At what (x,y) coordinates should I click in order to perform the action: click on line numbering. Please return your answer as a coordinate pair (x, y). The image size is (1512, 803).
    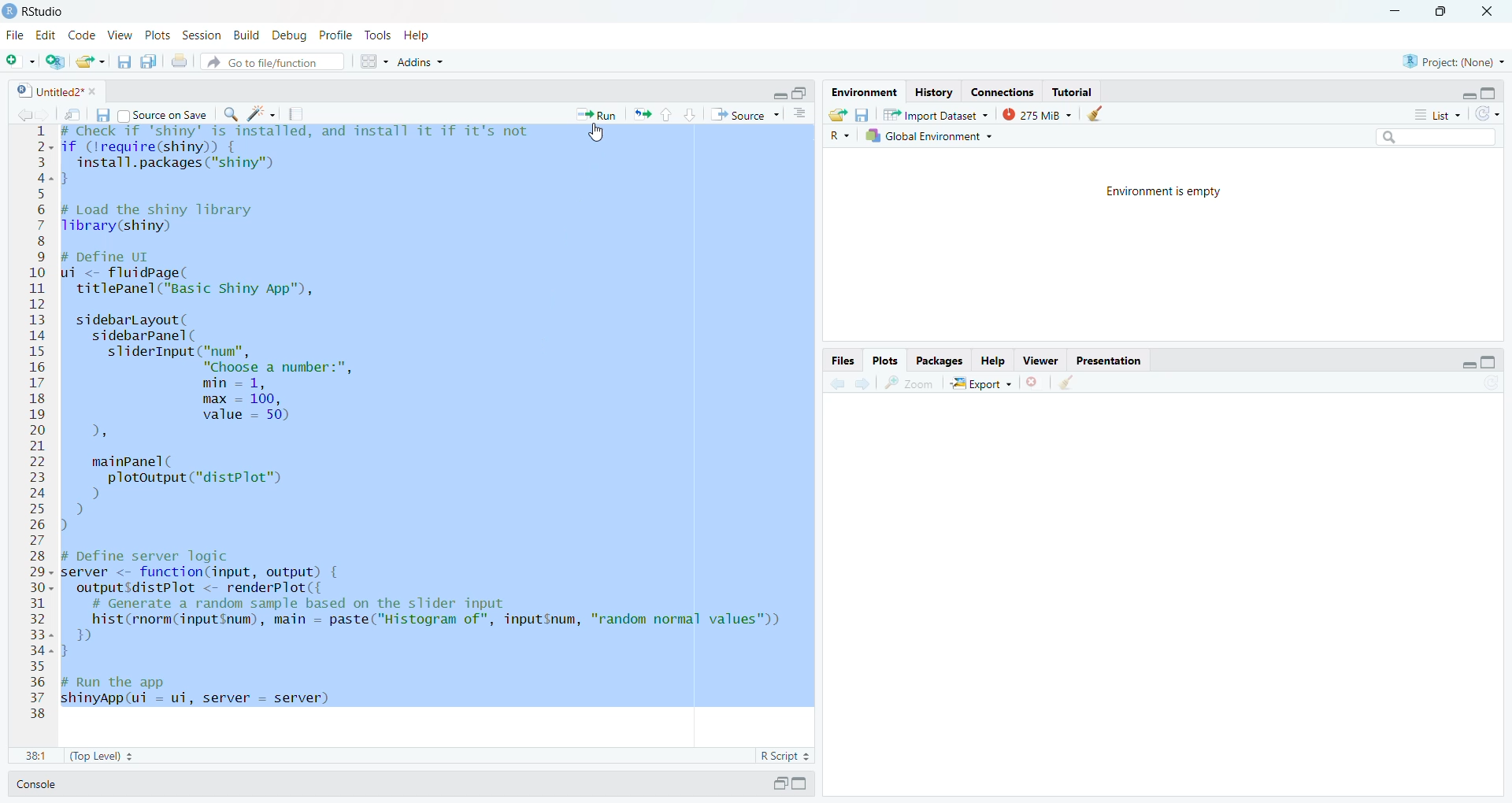
    Looking at the image, I should click on (39, 422).